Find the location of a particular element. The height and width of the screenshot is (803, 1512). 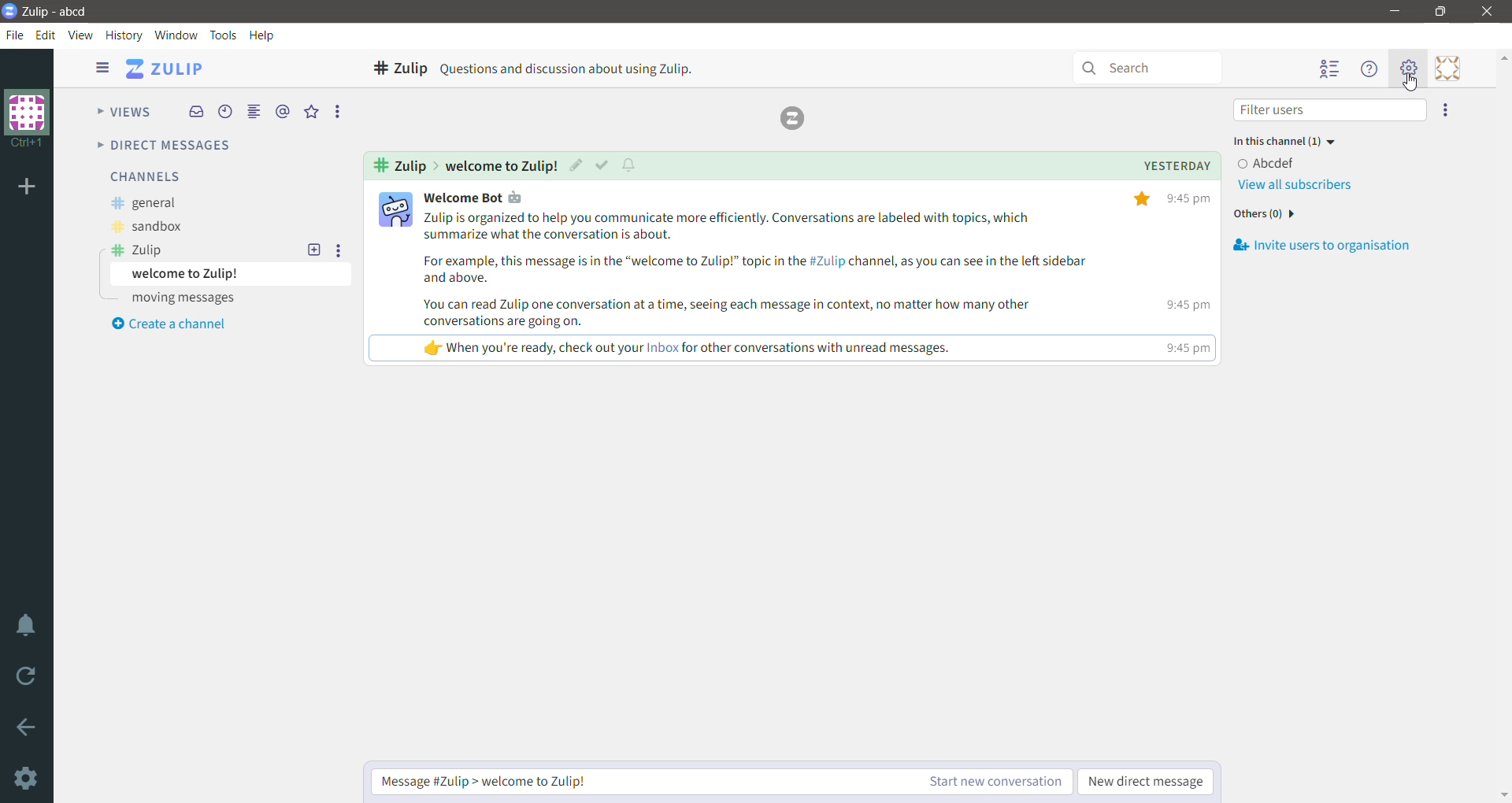

Welcome to Zulip(Message Topic) is located at coordinates (503, 165).